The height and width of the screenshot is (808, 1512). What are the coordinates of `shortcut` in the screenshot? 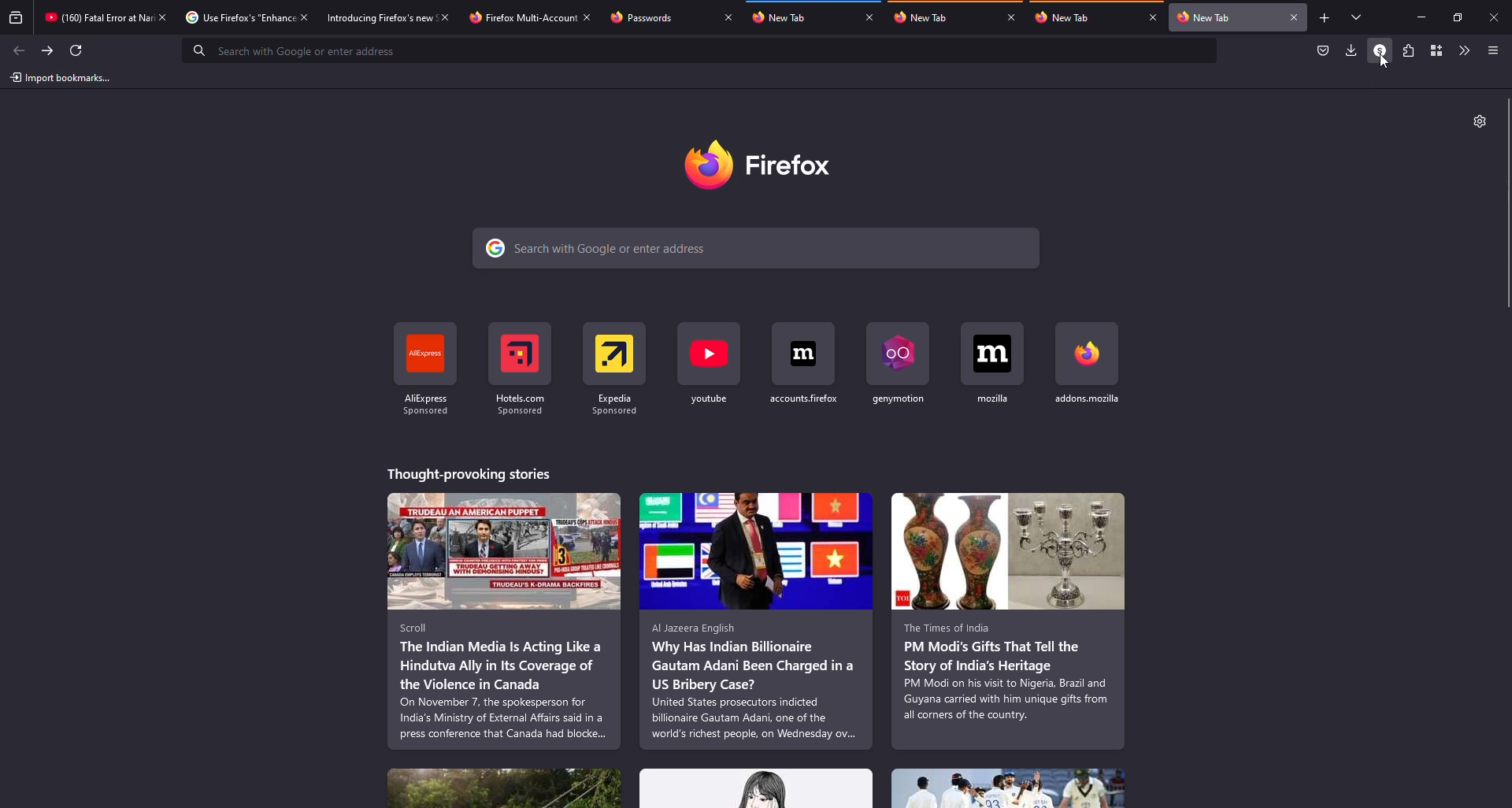 It's located at (615, 369).